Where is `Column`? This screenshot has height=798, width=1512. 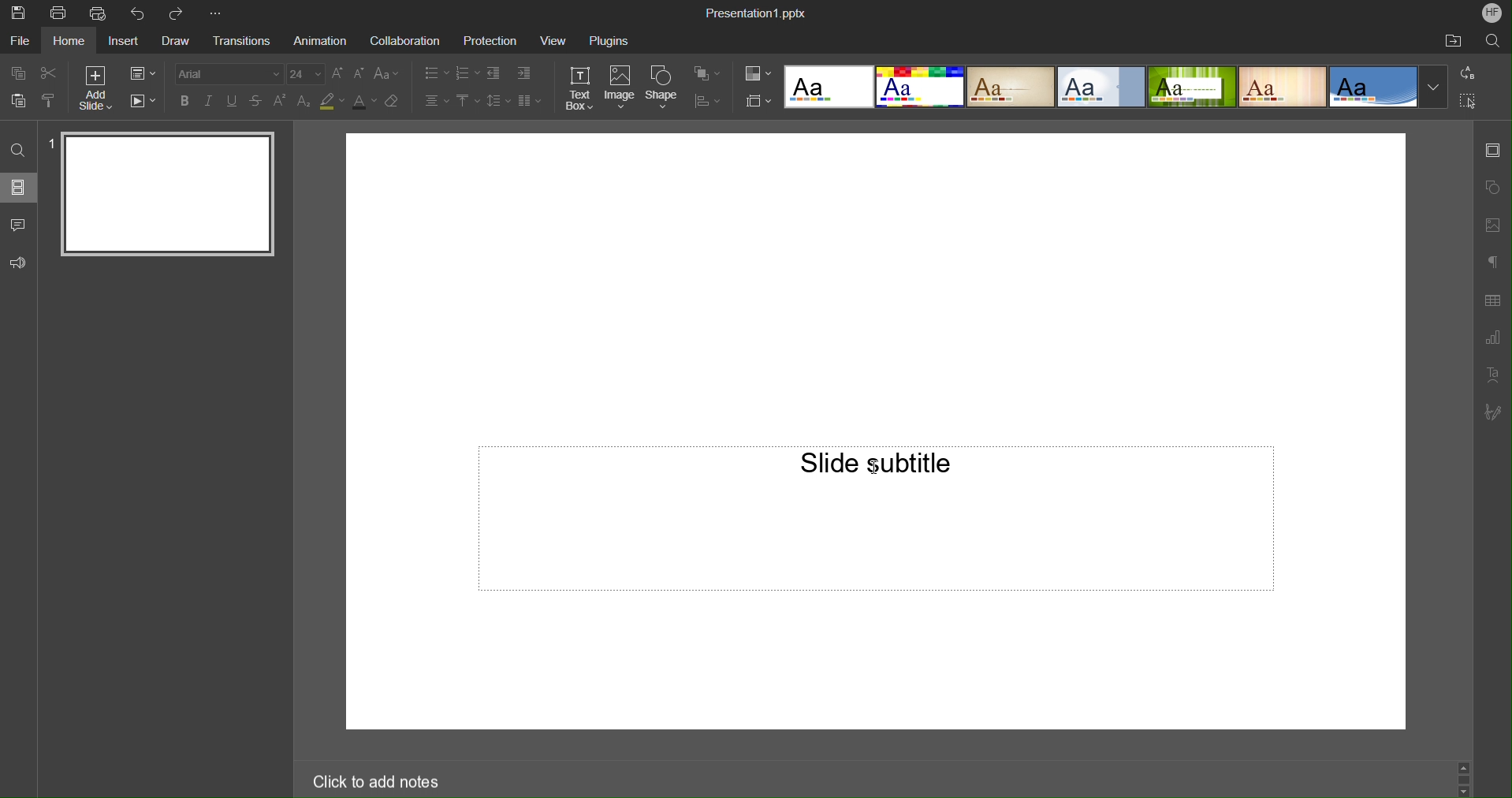 Column is located at coordinates (530, 102).